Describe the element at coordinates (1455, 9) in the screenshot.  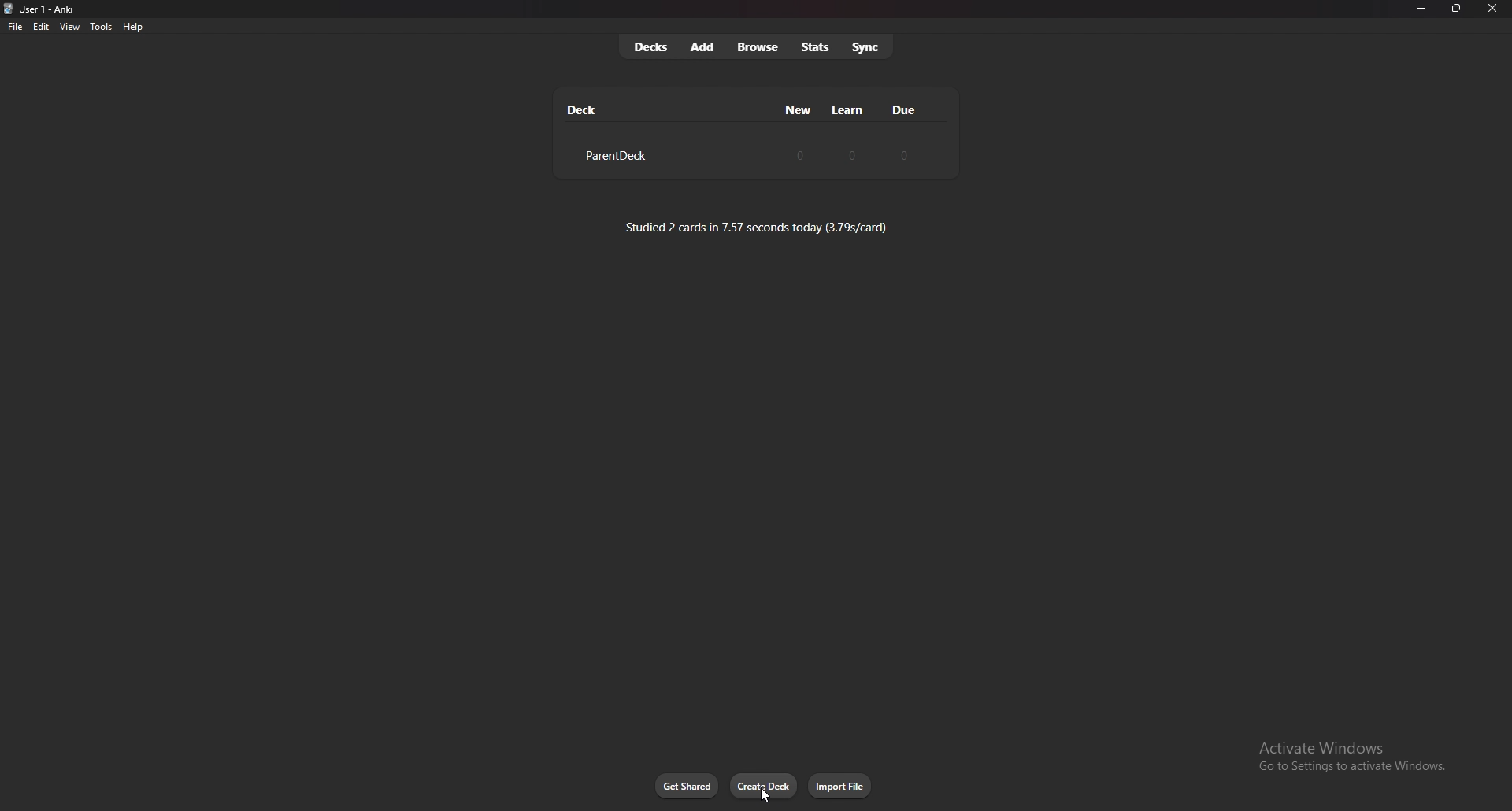
I see `Maximize/resize` at that location.